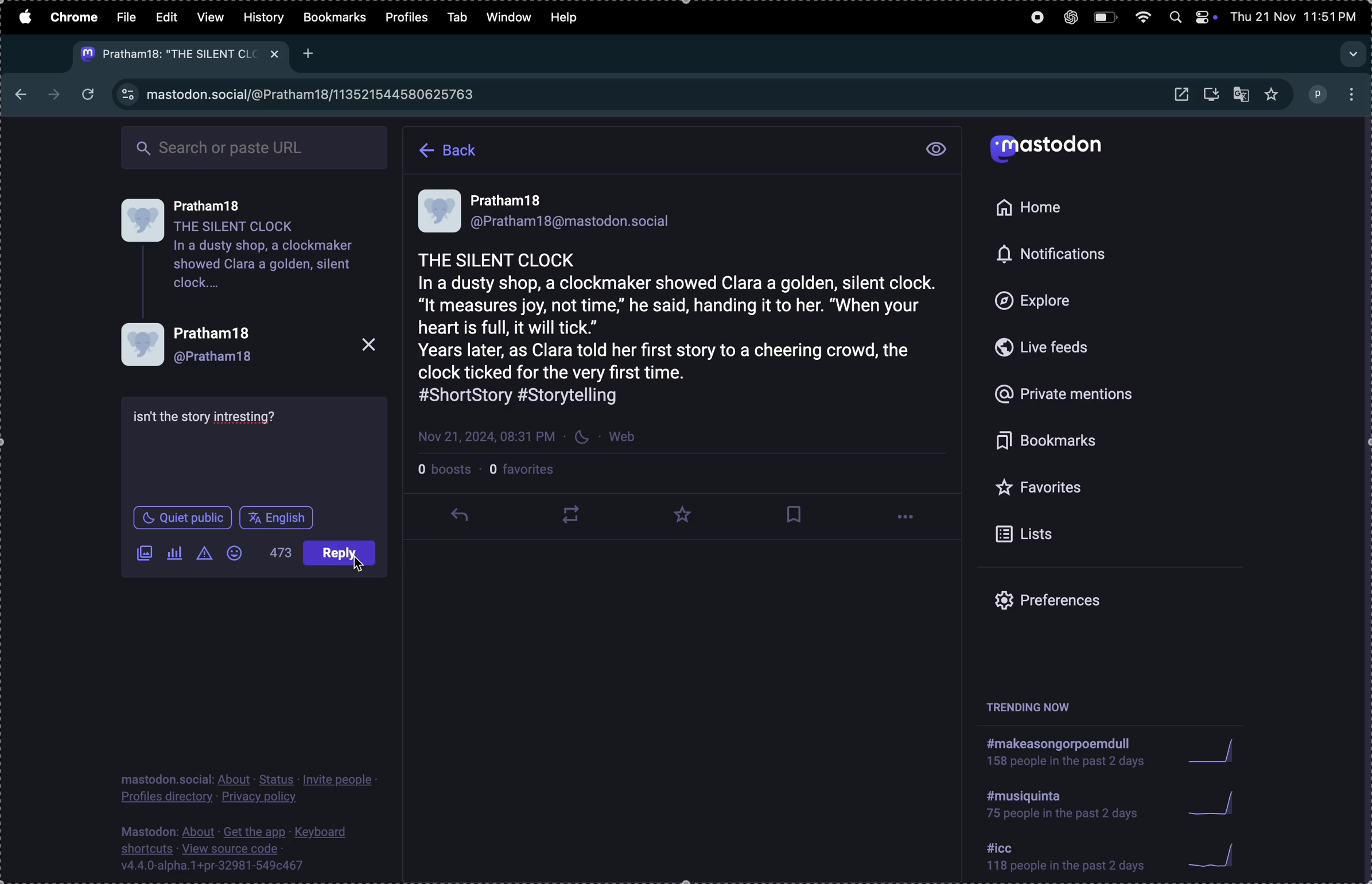  What do you see at coordinates (446, 472) in the screenshot?
I see `boosts` at bounding box center [446, 472].